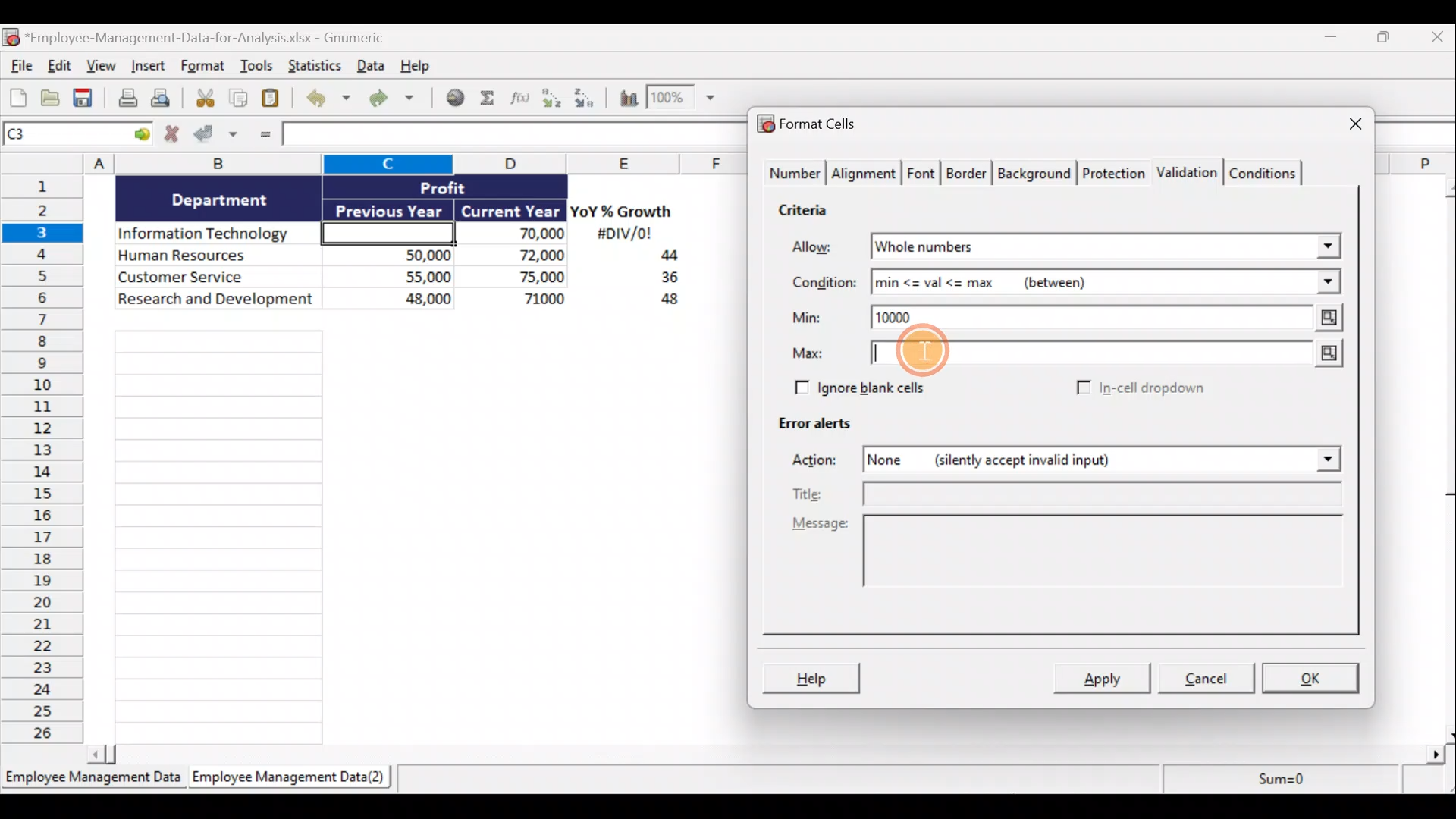 The height and width of the screenshot is (819, 1456). What do you see at coordinates (1341, 125) in the screenshot?
I see `Close` at bounding box center [1341, 125].